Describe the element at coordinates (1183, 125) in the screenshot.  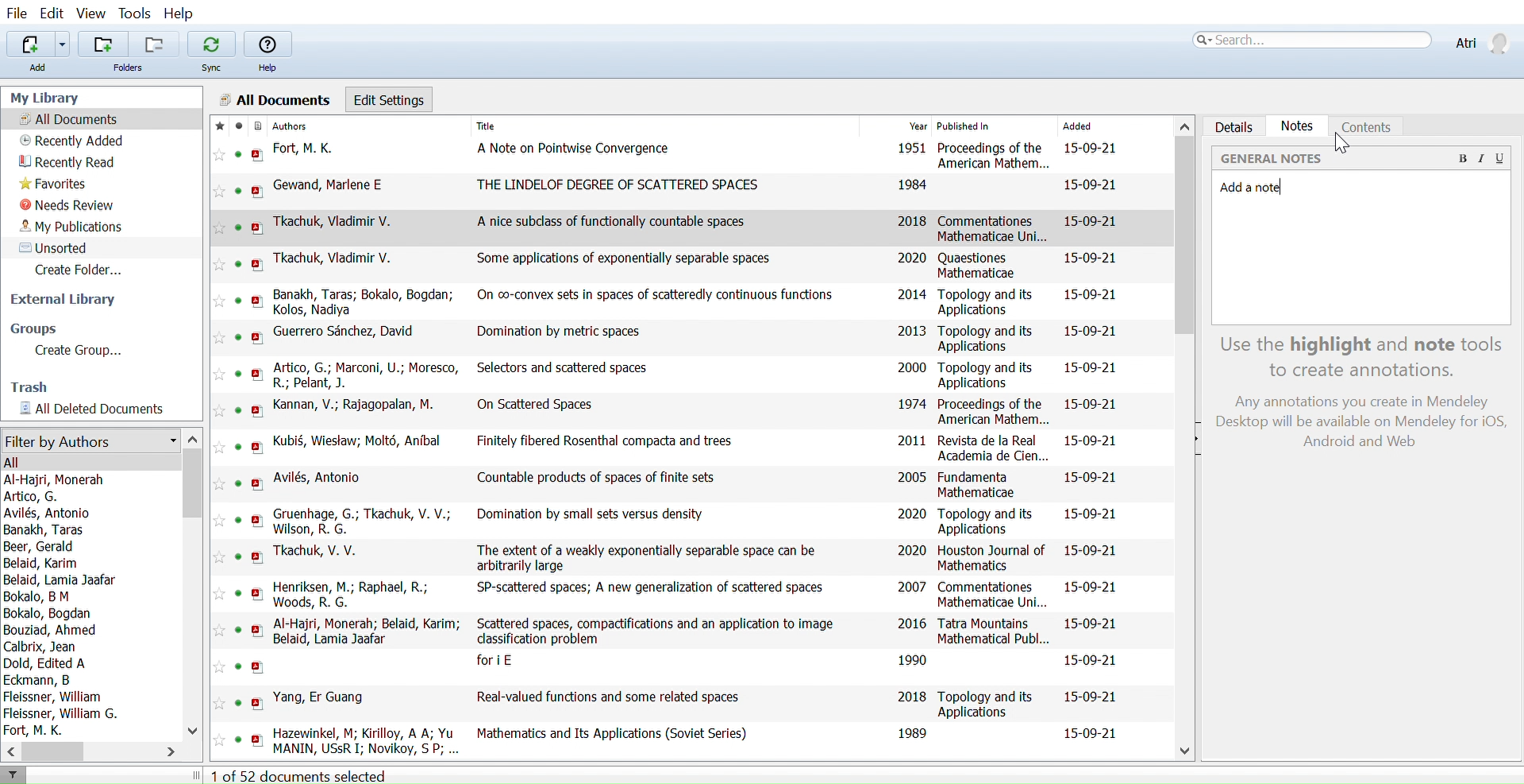
I see `Move up in all files` at that location.